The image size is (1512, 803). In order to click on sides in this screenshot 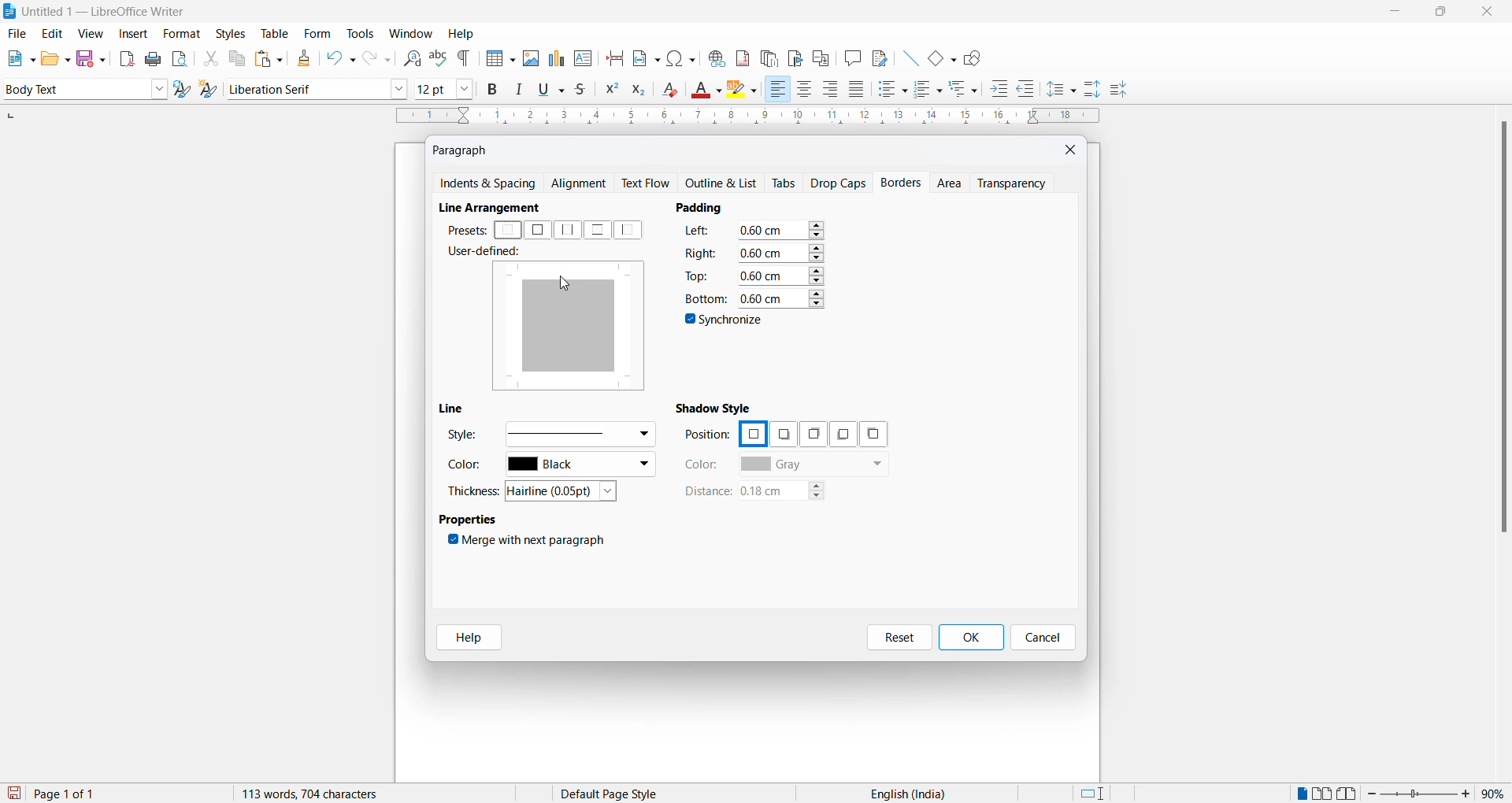, I will do `click(701, 233)`.